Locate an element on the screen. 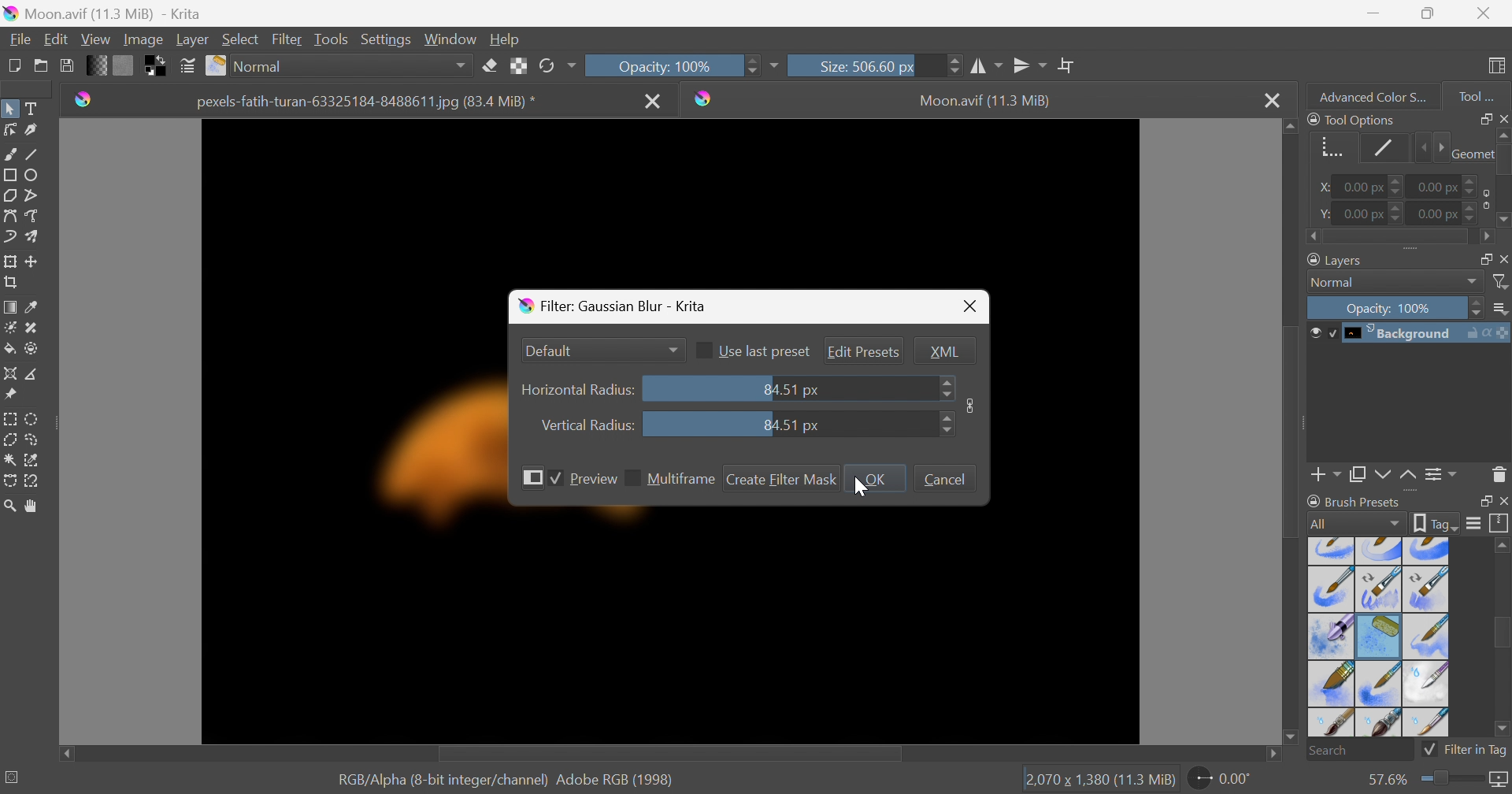 This screenshot has width=1512, height=794. Scroll down is located at coordinates (1503, 731).